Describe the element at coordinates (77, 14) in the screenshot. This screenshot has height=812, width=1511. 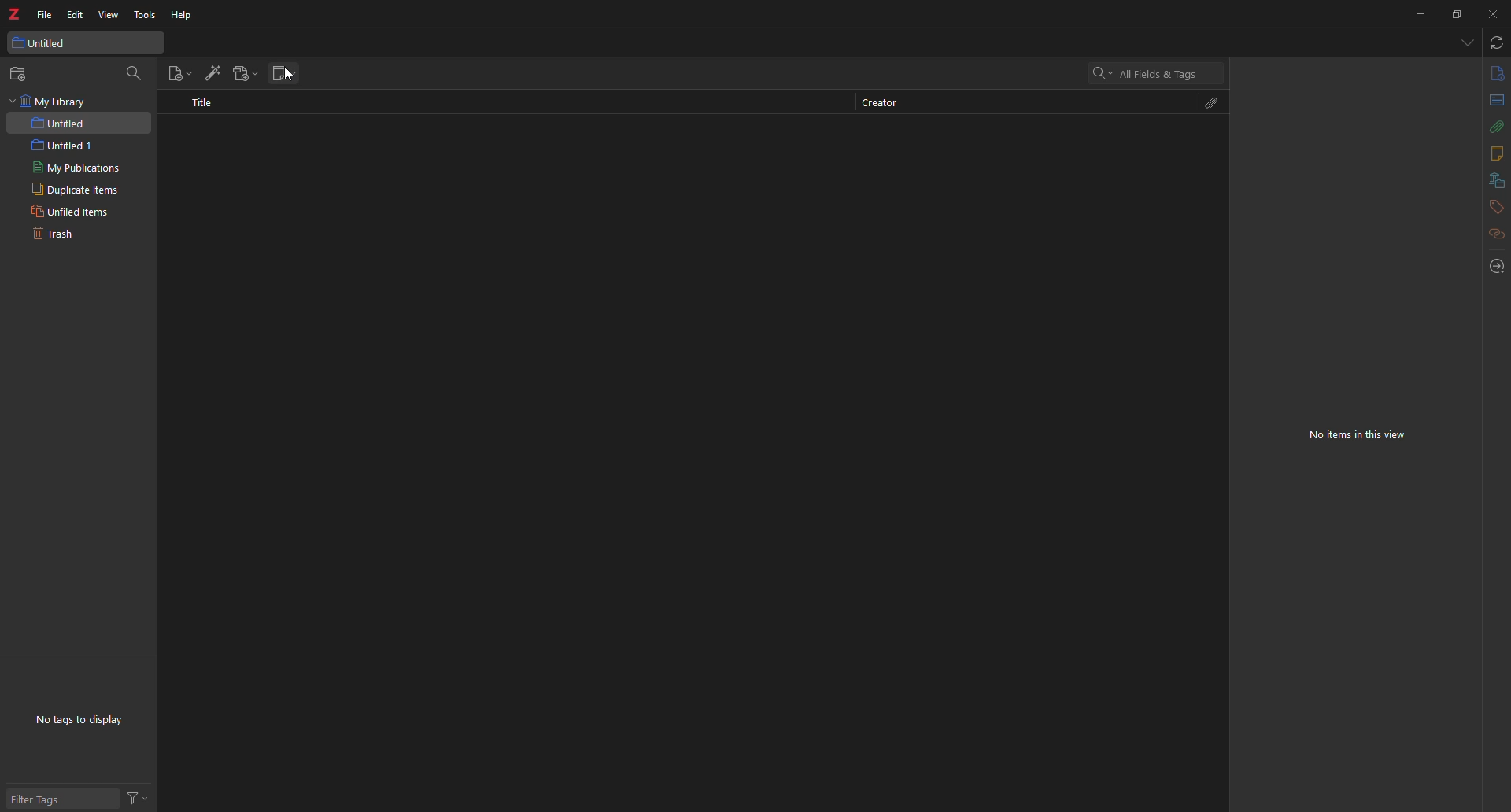
I see `edit` at that location.